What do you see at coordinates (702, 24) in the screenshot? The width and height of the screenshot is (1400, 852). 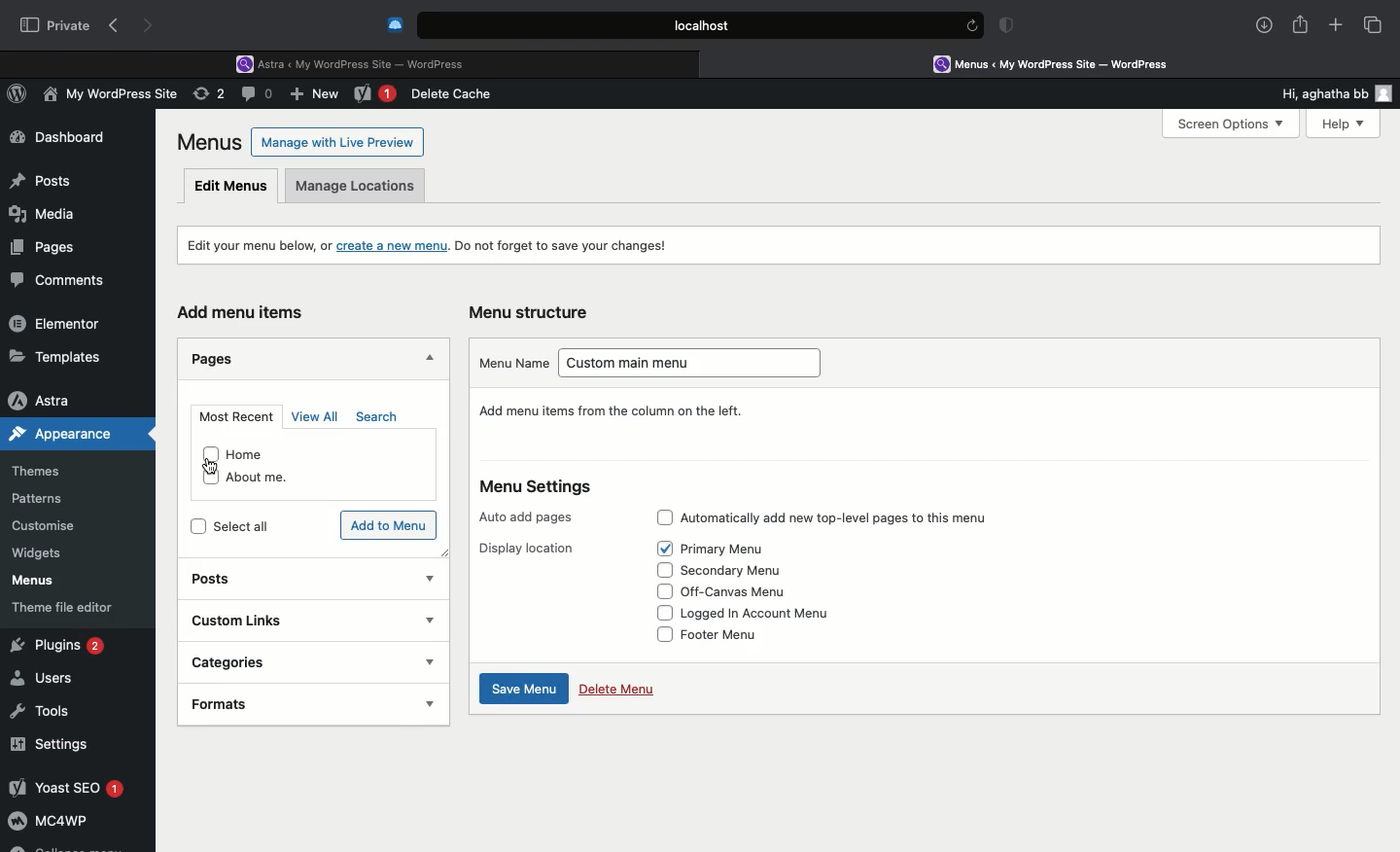 I see `Local.host` at bounding box center [702, 24].